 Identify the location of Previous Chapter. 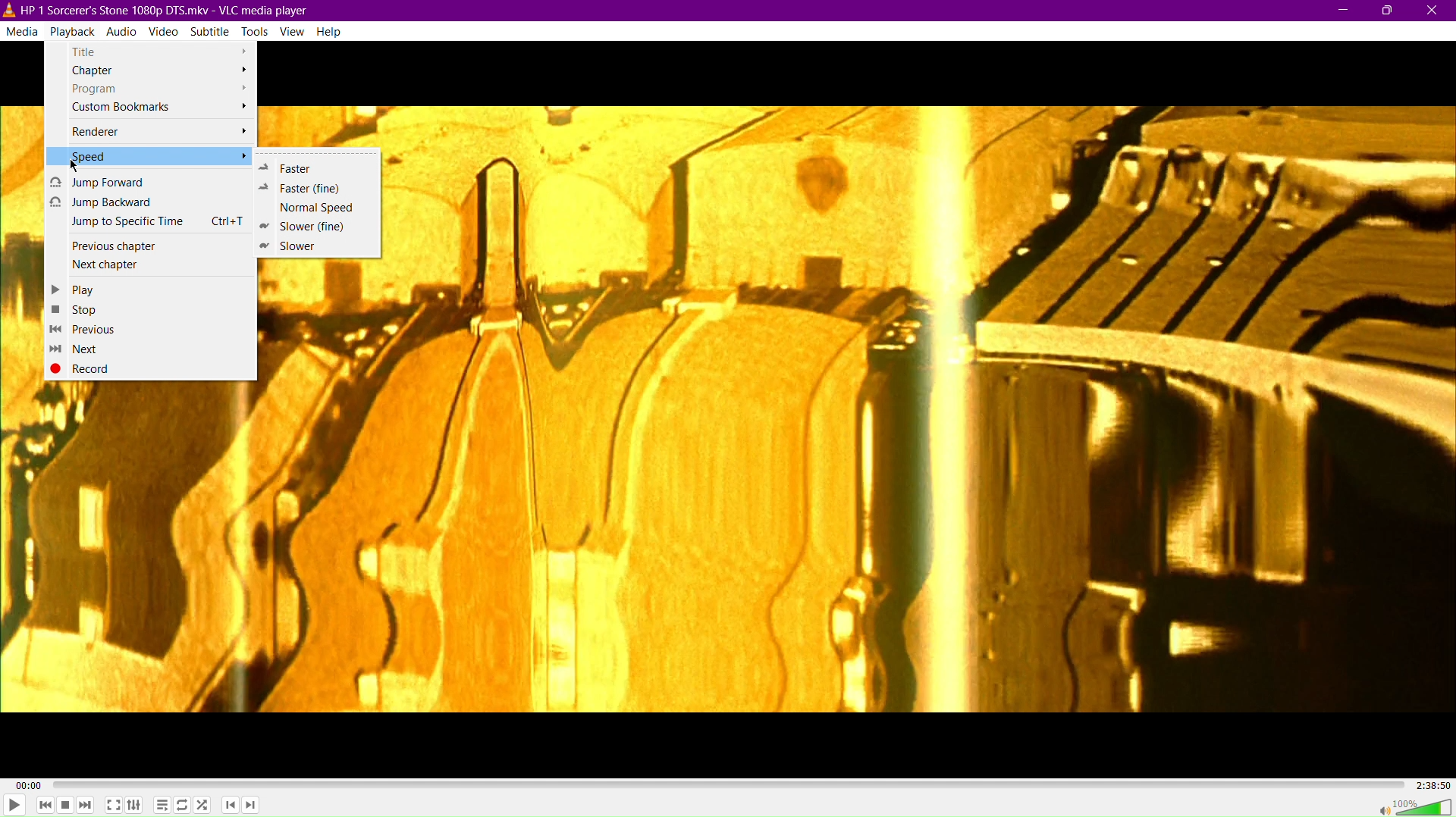
(230, 806).